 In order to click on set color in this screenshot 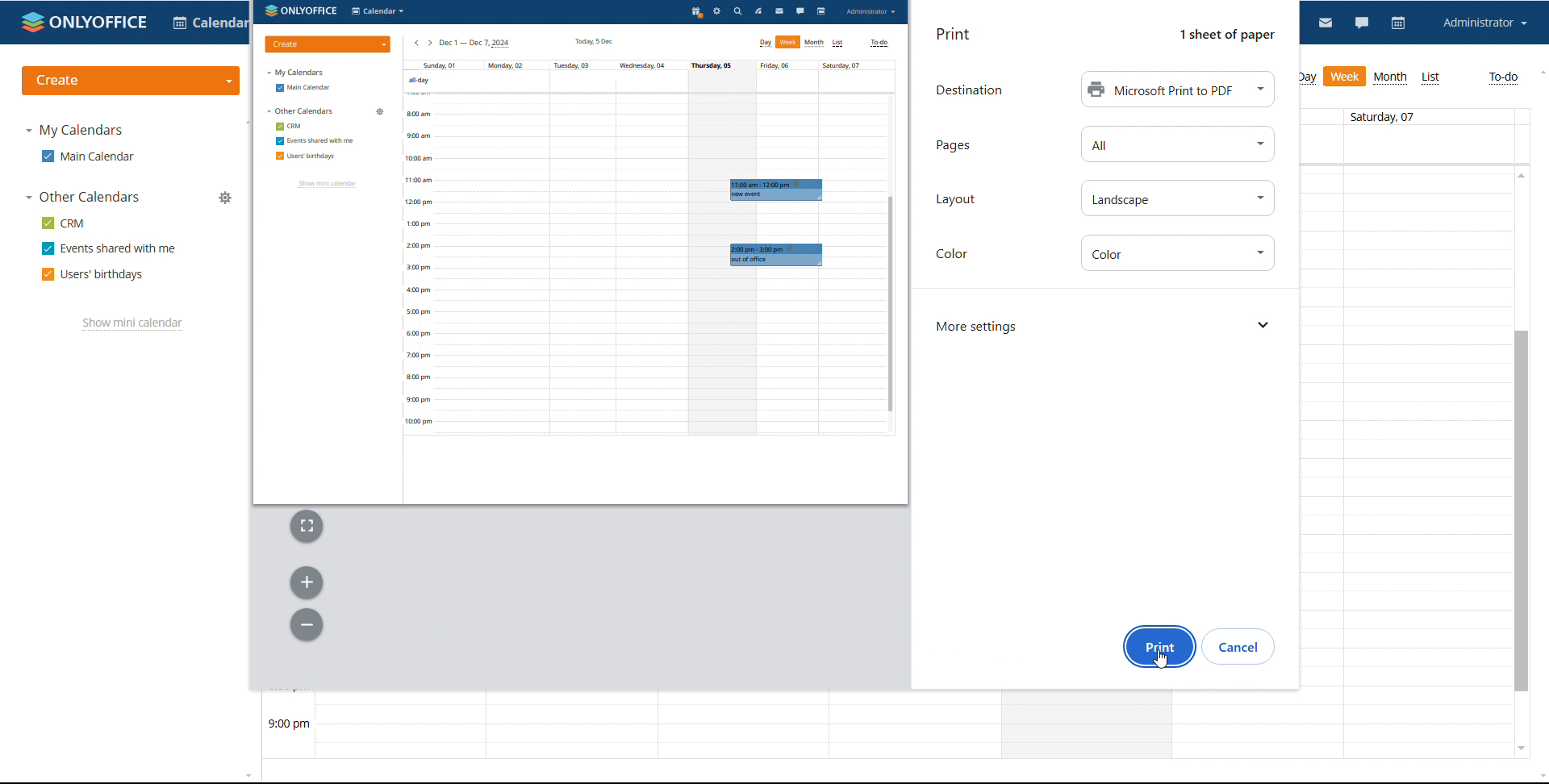, I will do `click(1178, 253)`.